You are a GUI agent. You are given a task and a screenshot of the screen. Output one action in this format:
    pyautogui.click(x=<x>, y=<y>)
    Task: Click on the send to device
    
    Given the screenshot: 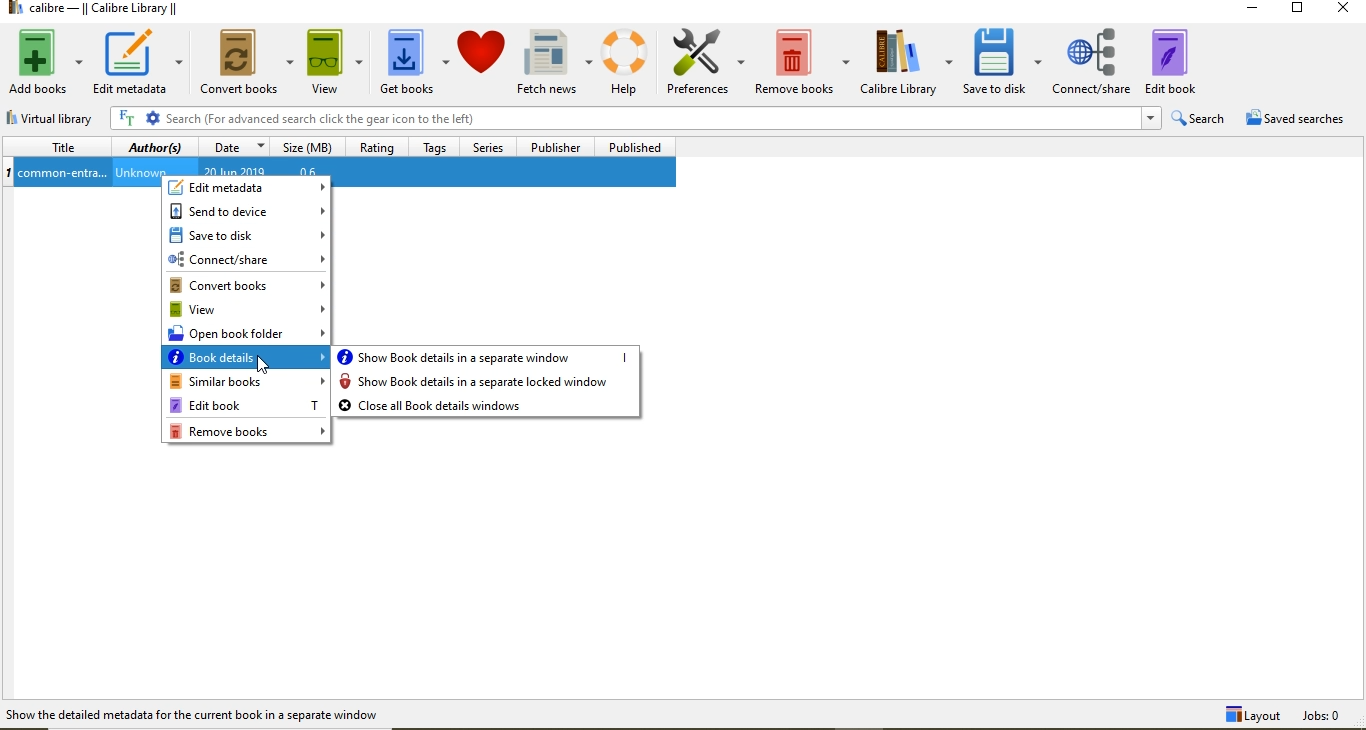 What is the action you would take?
    pyautogui.click(x=246, y=211)
    